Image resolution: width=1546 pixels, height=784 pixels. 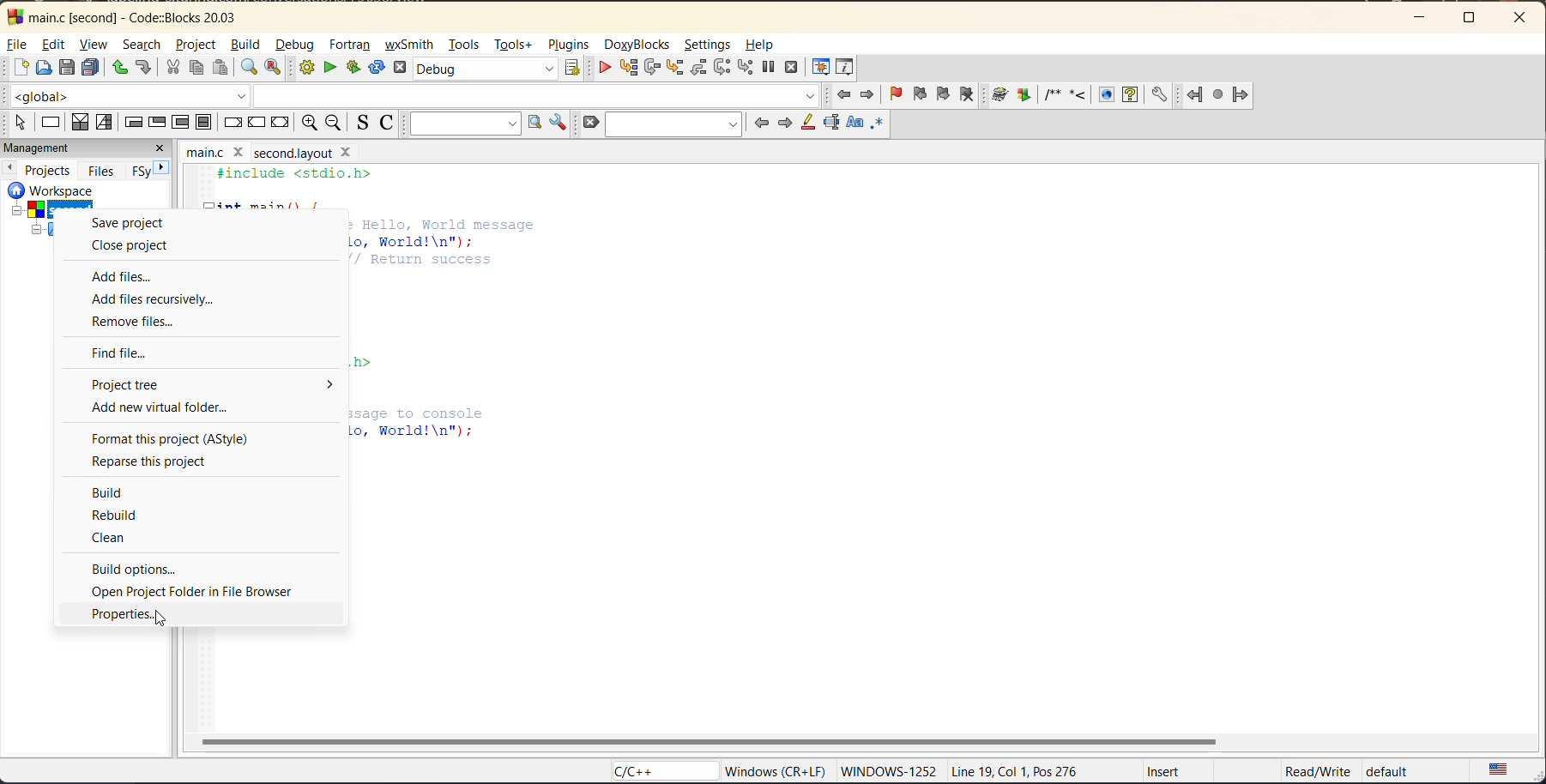 I want to click on rebuild, so click(x=121, y=515).